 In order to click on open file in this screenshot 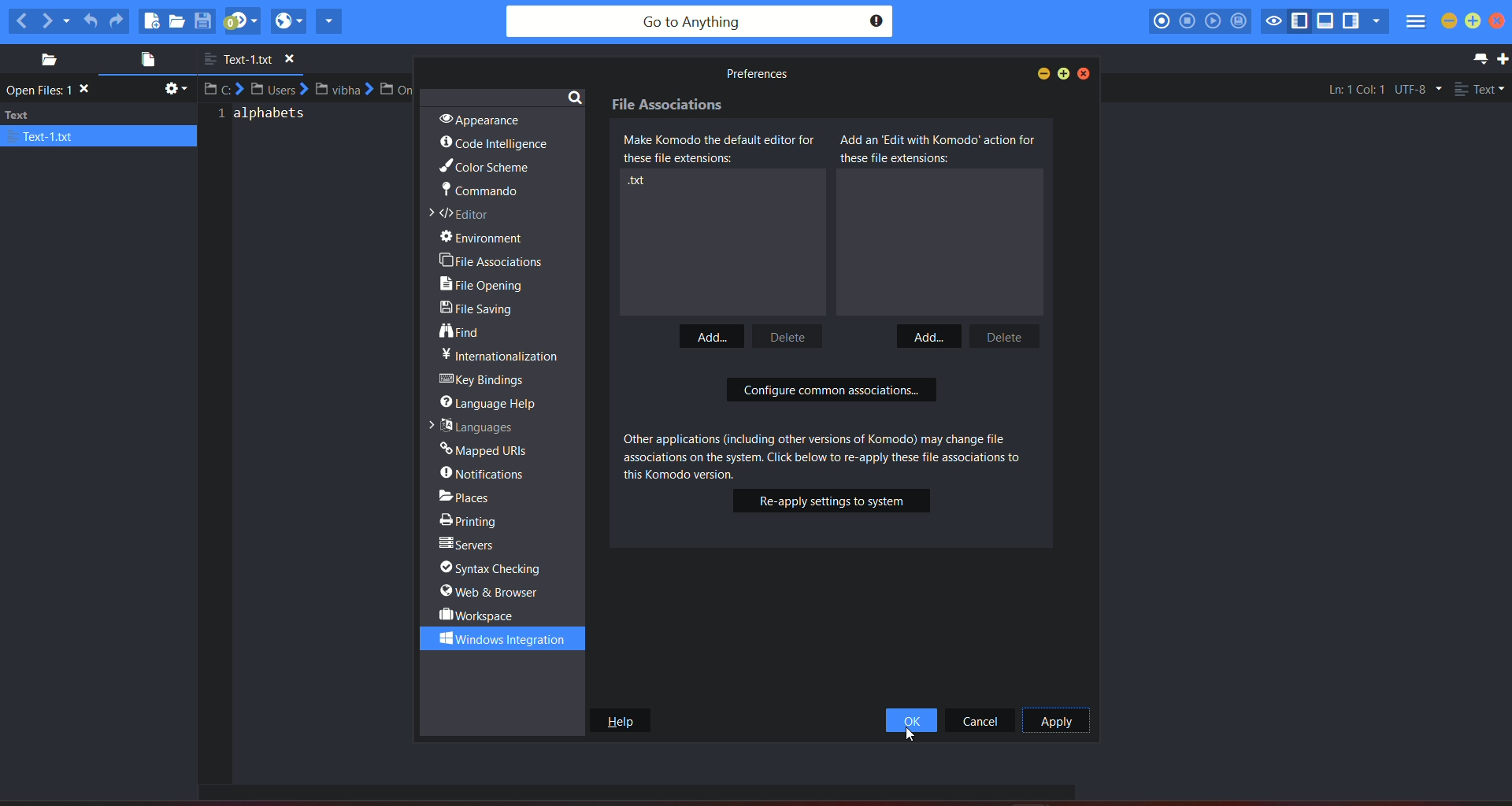, I will do `click(143, 61)`.